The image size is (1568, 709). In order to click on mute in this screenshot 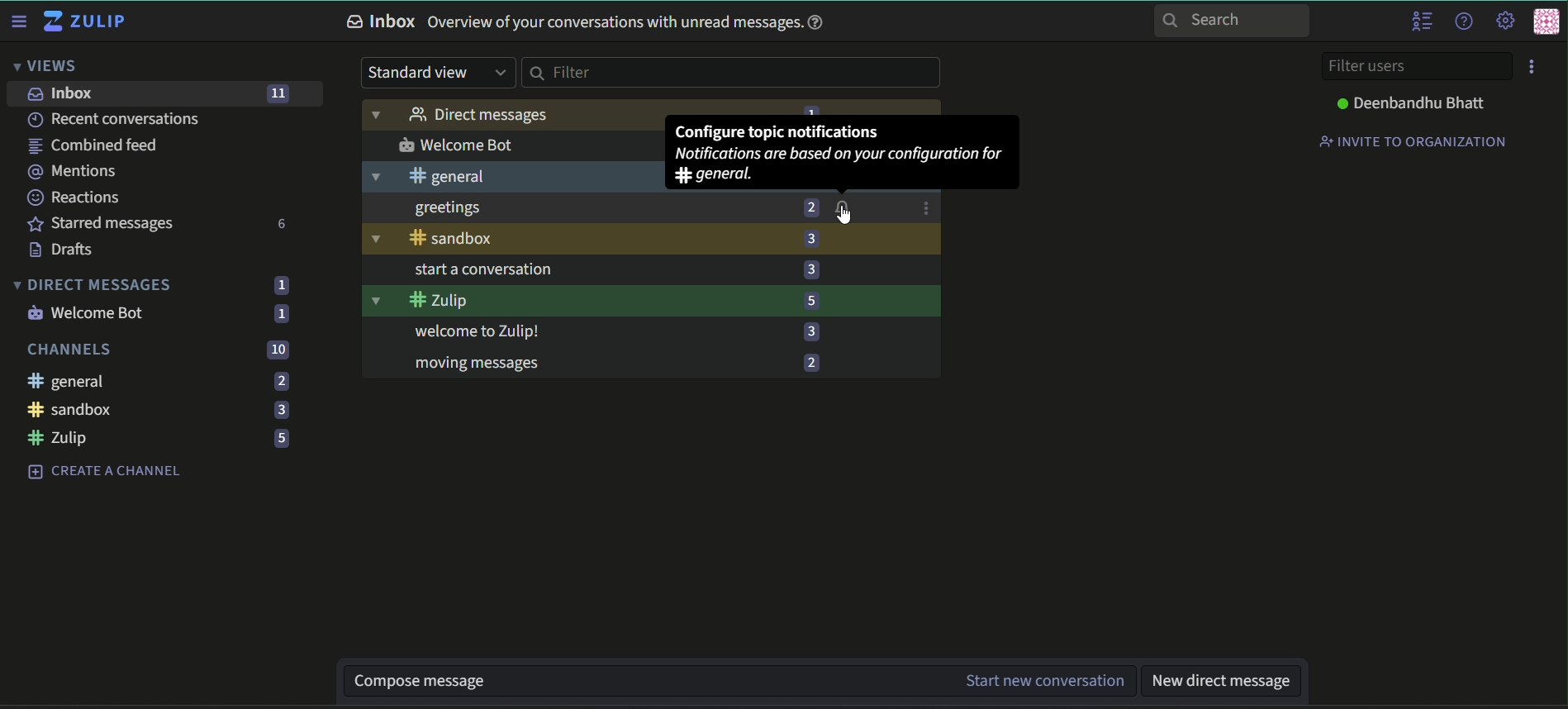, I will do `click(842, 207)`.